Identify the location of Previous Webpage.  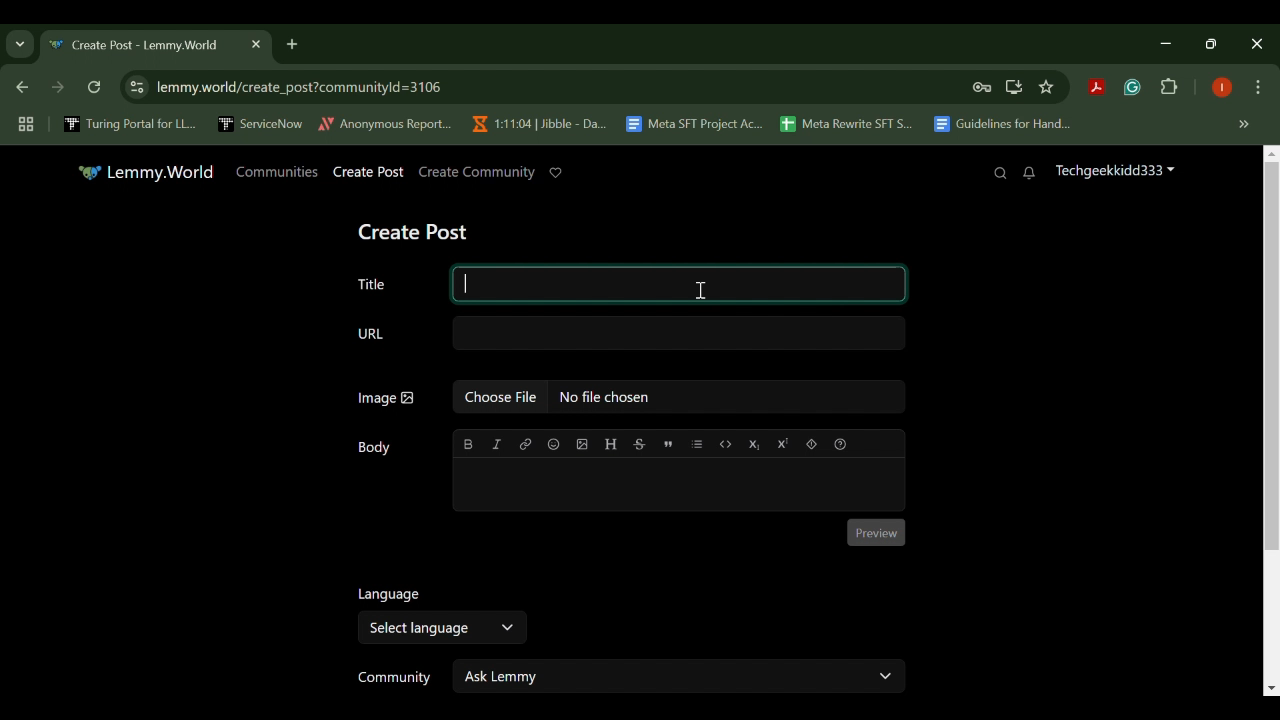
(19, 89).